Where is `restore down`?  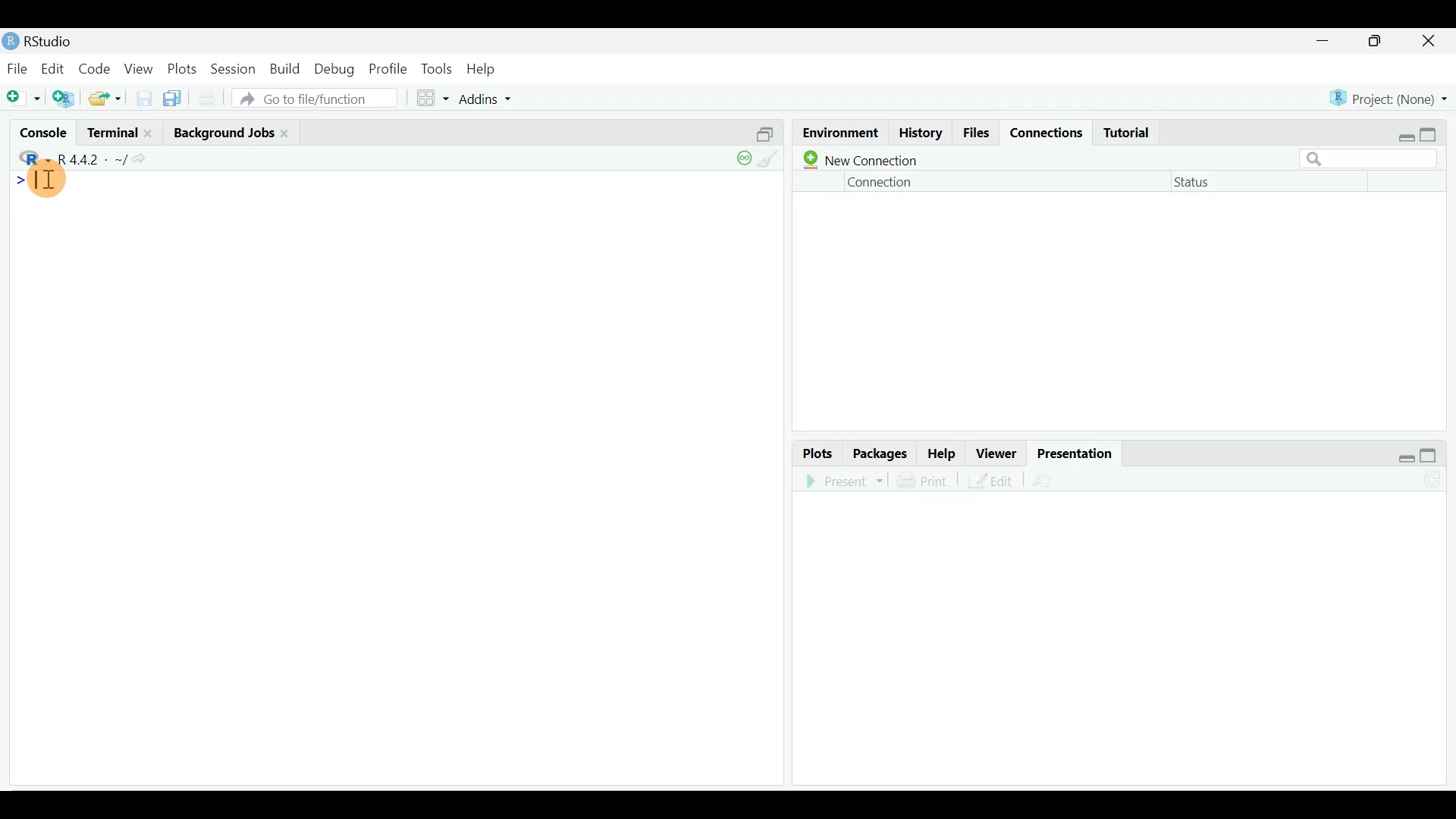
restore down is located at coordinates (1400, 453).